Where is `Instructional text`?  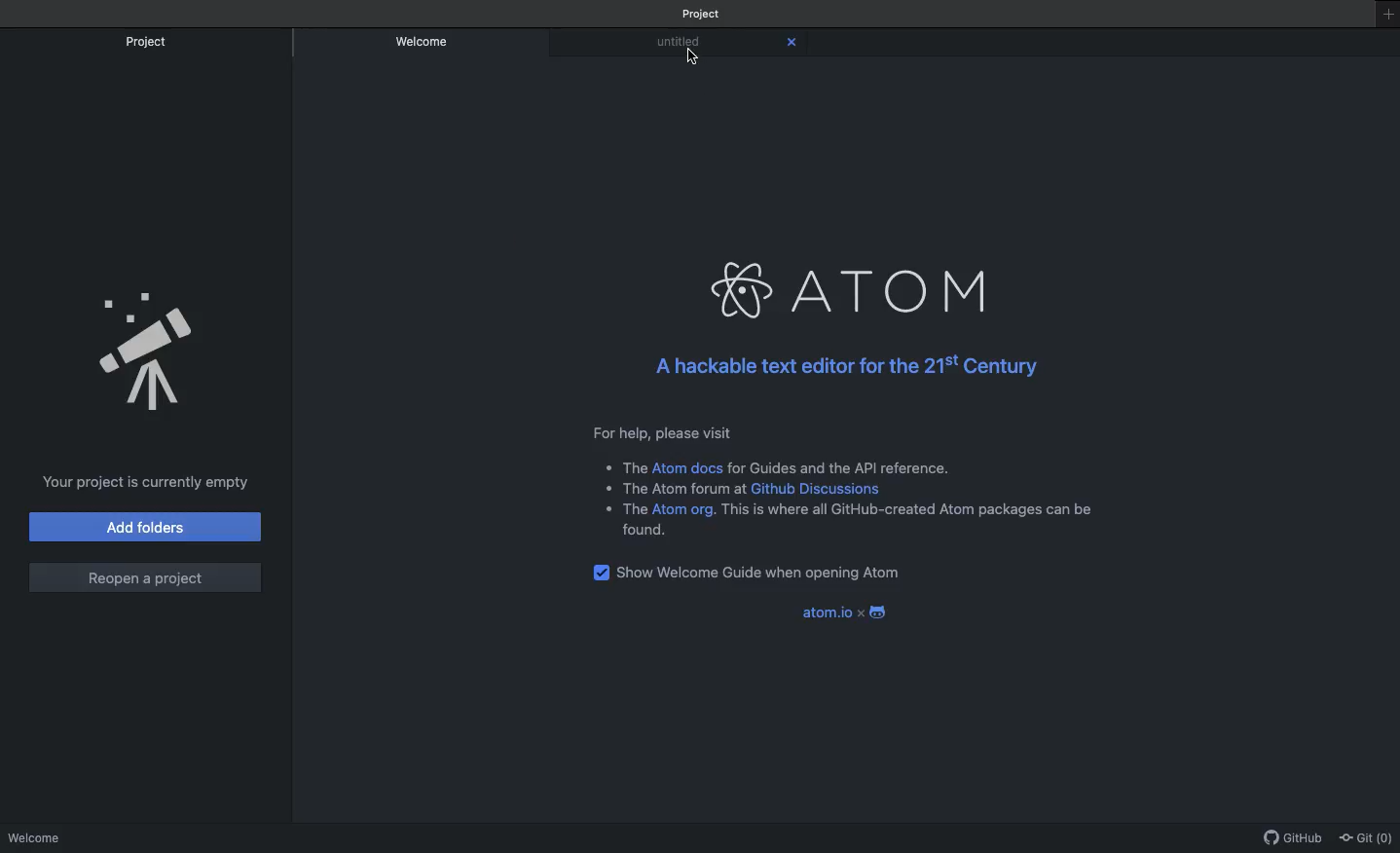
Instructional text is located at coordinates (857, 480).